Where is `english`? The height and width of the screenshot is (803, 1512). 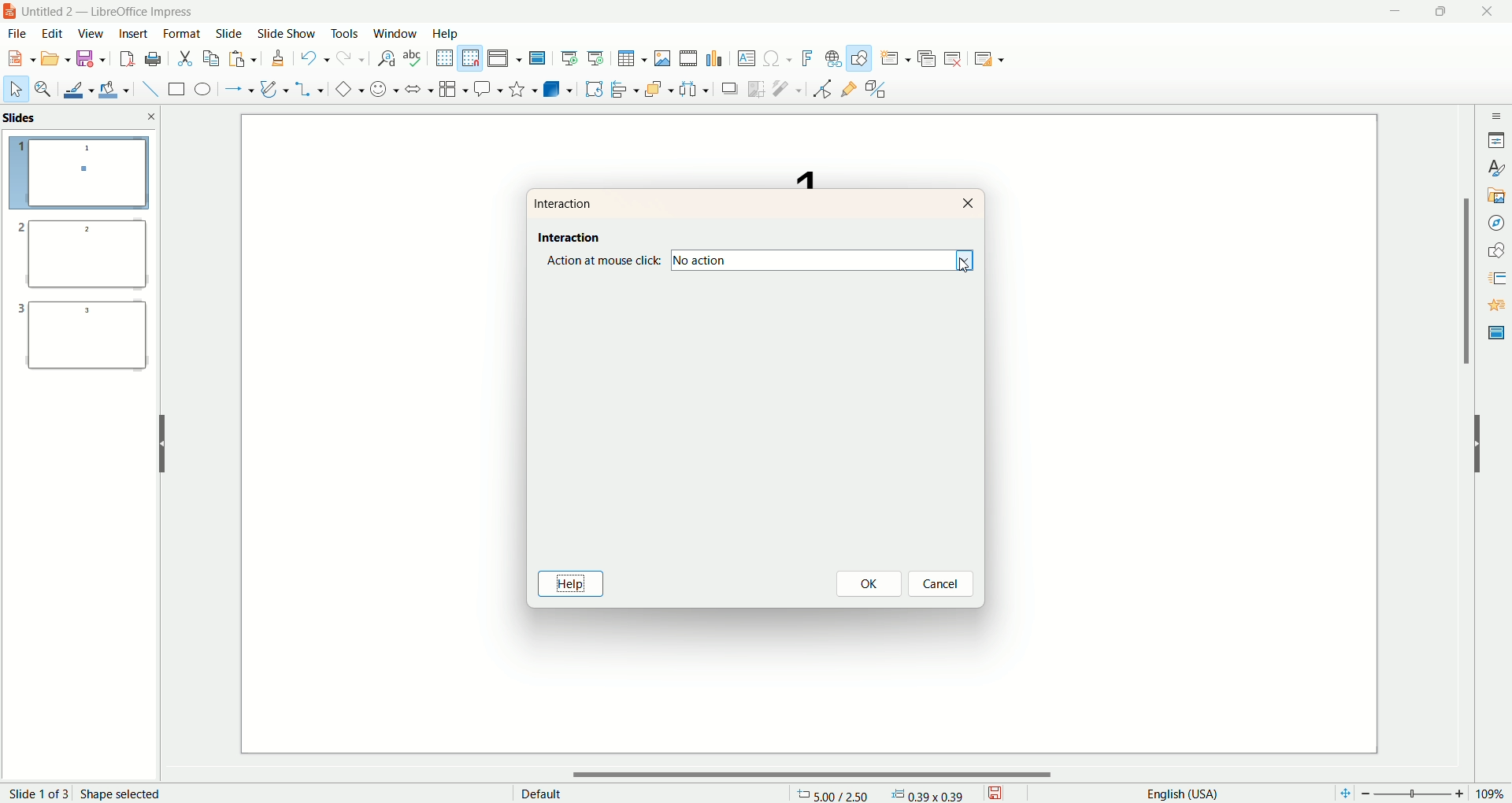
english is located at coordinates (1180, 793).